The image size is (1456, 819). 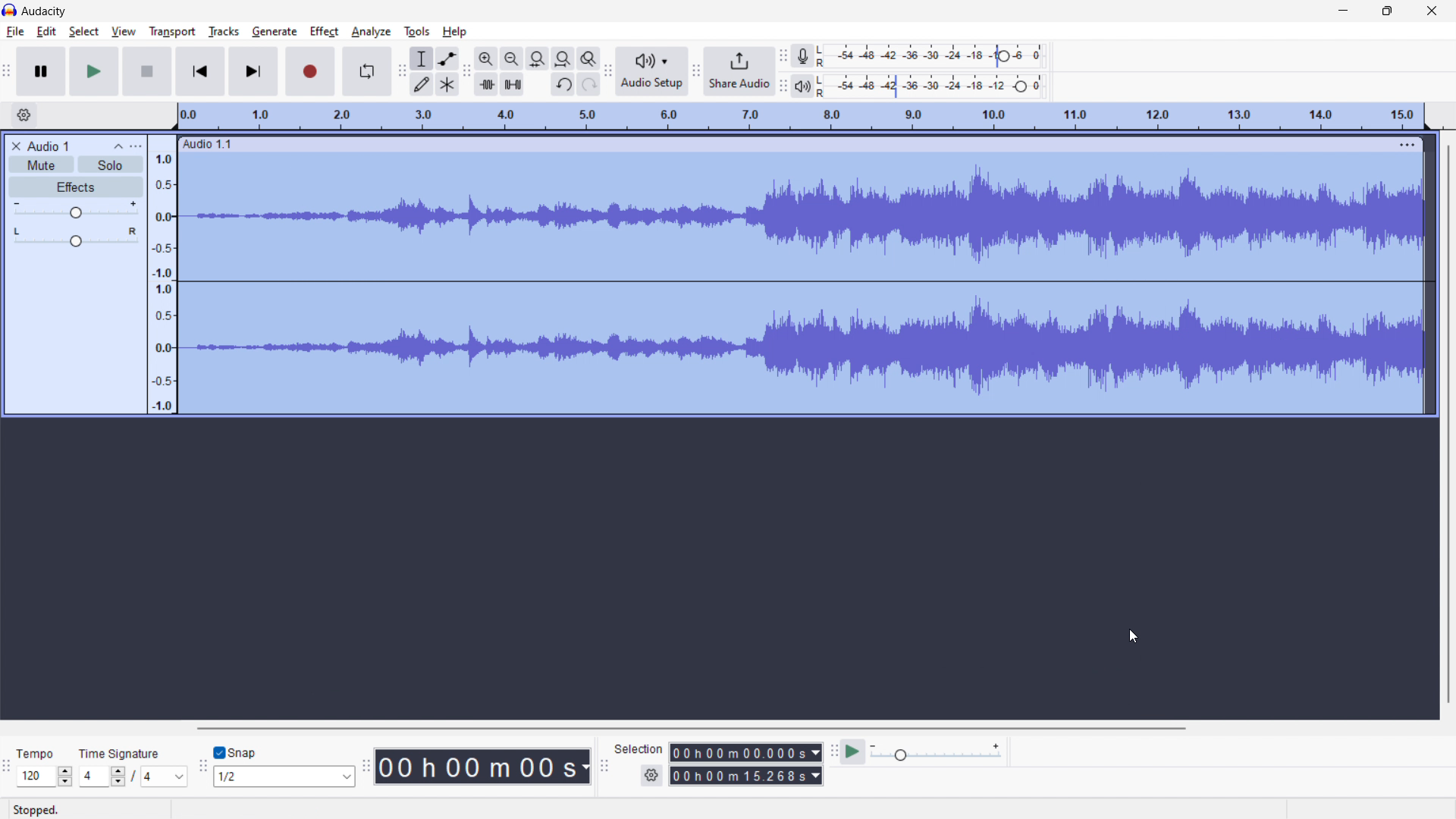 I want to click on view menu, so click(x=136, y=146).